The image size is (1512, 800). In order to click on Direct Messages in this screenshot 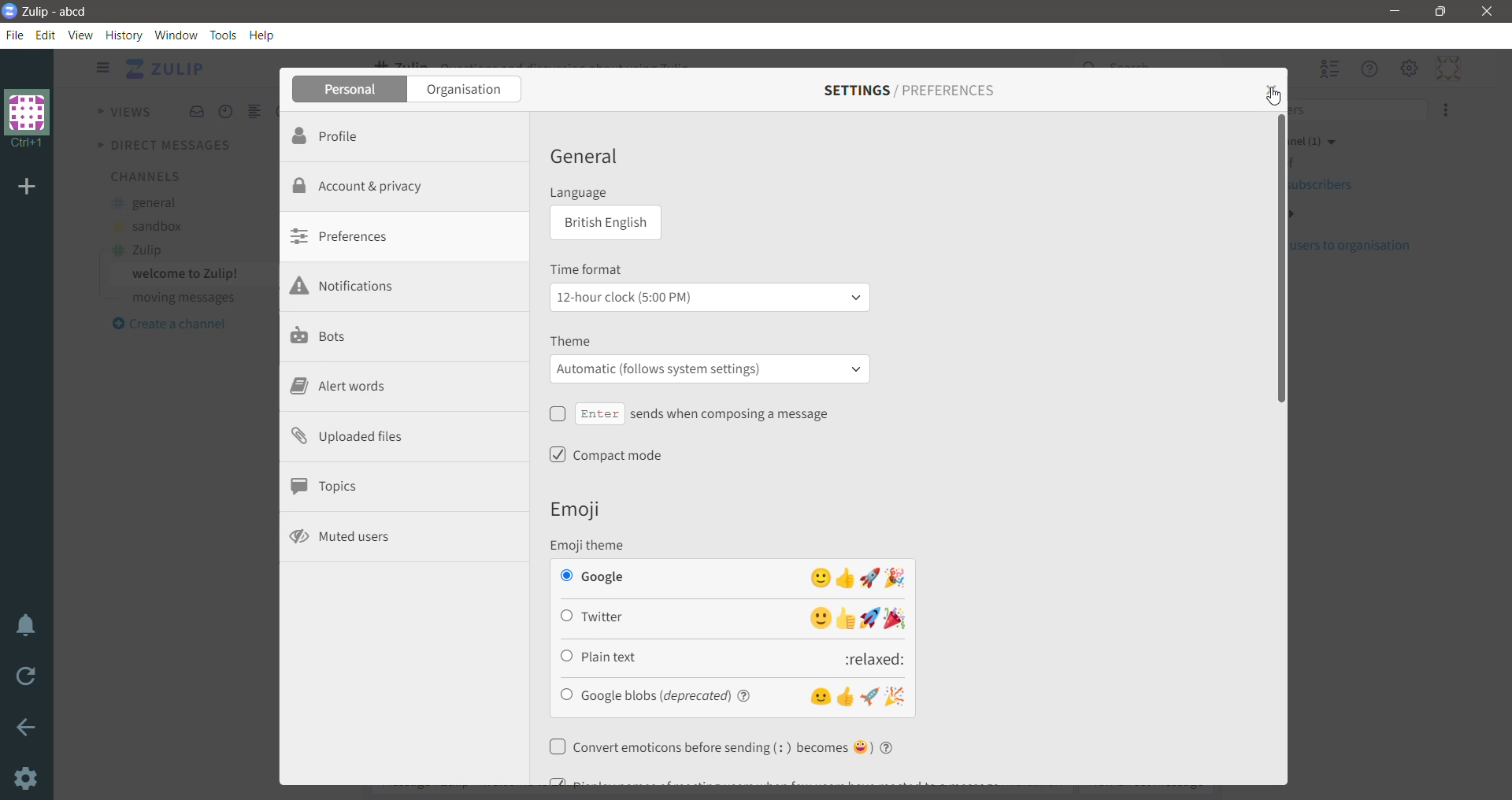, I will do `click(166, 146)`.